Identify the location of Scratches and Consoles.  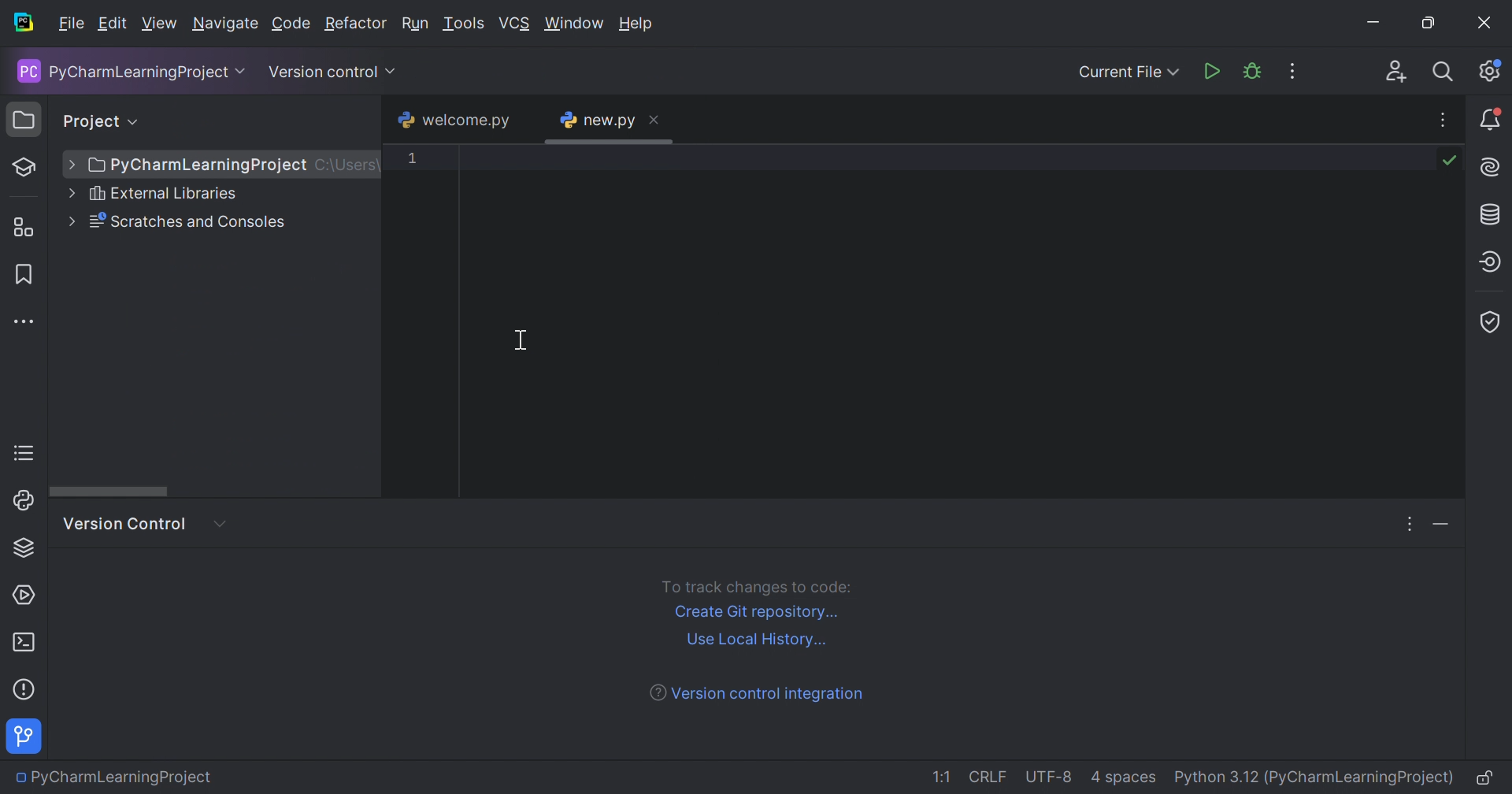
(187, 221).